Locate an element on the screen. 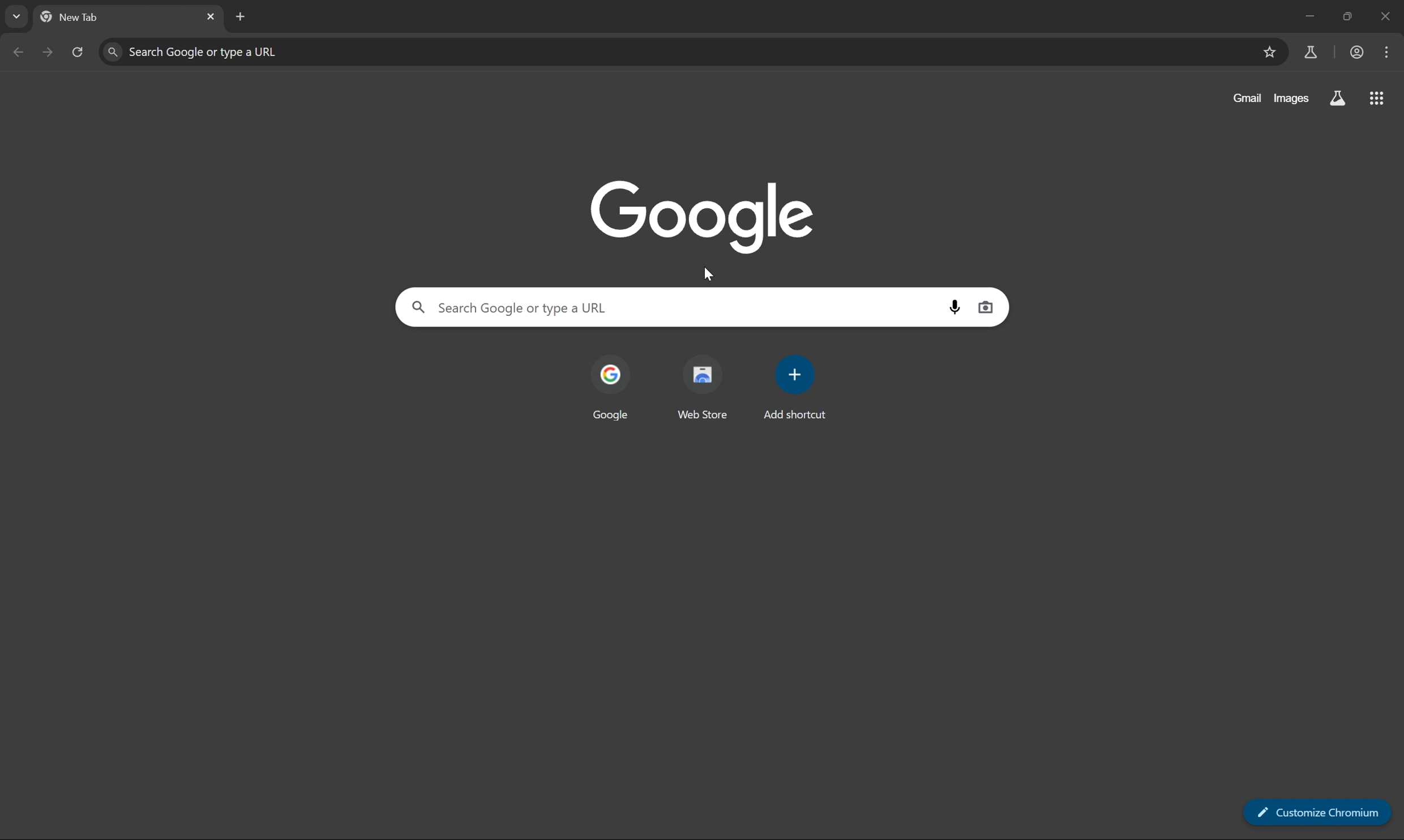 Image resolution: width=1404 pixels, height=840 pixels. reload is located at coordinates (81, 51).